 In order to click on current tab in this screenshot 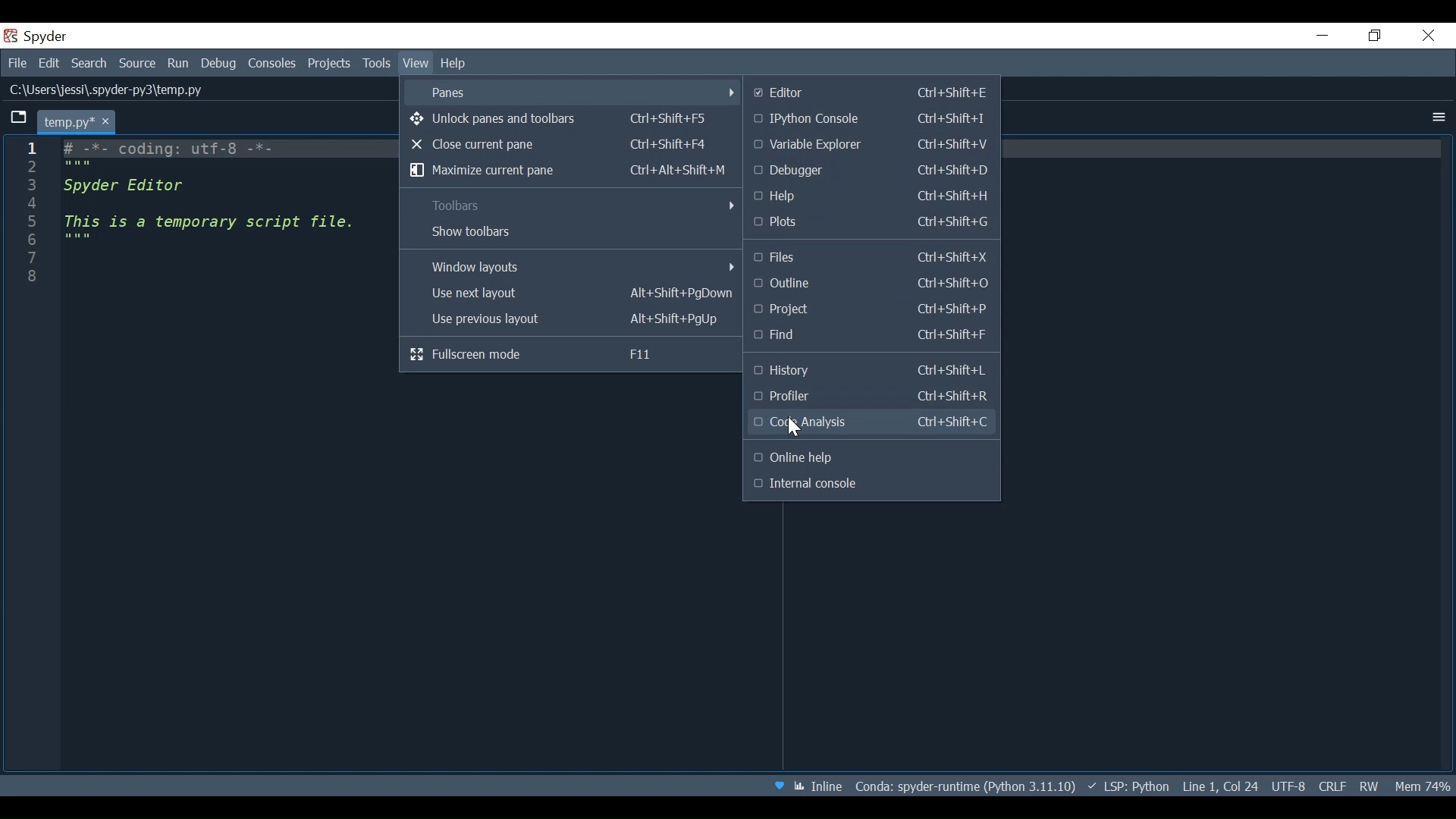, I will do `click(79, 120)`.